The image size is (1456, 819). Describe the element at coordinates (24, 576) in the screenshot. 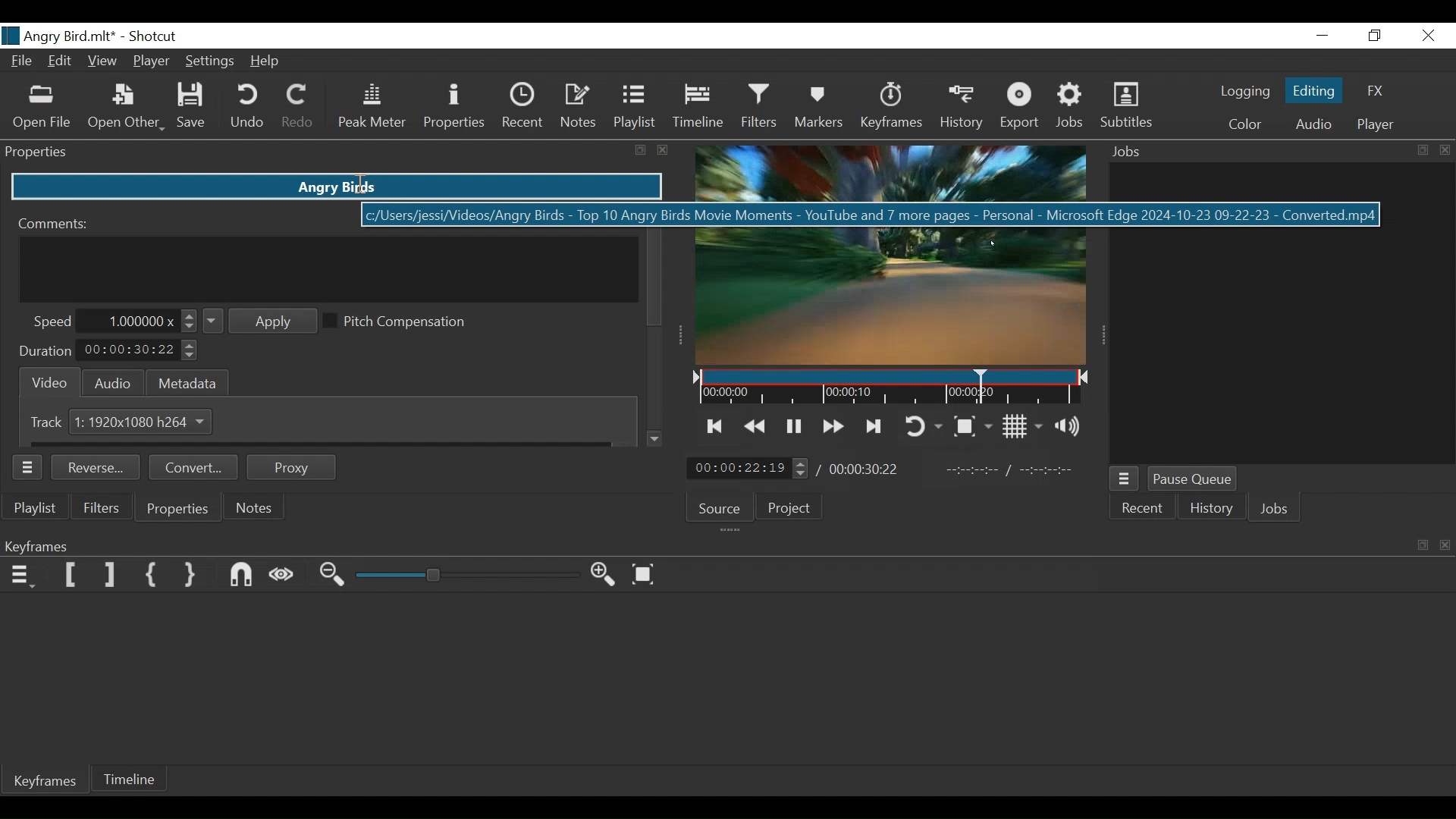

I see `Keyframe menu` at that location.